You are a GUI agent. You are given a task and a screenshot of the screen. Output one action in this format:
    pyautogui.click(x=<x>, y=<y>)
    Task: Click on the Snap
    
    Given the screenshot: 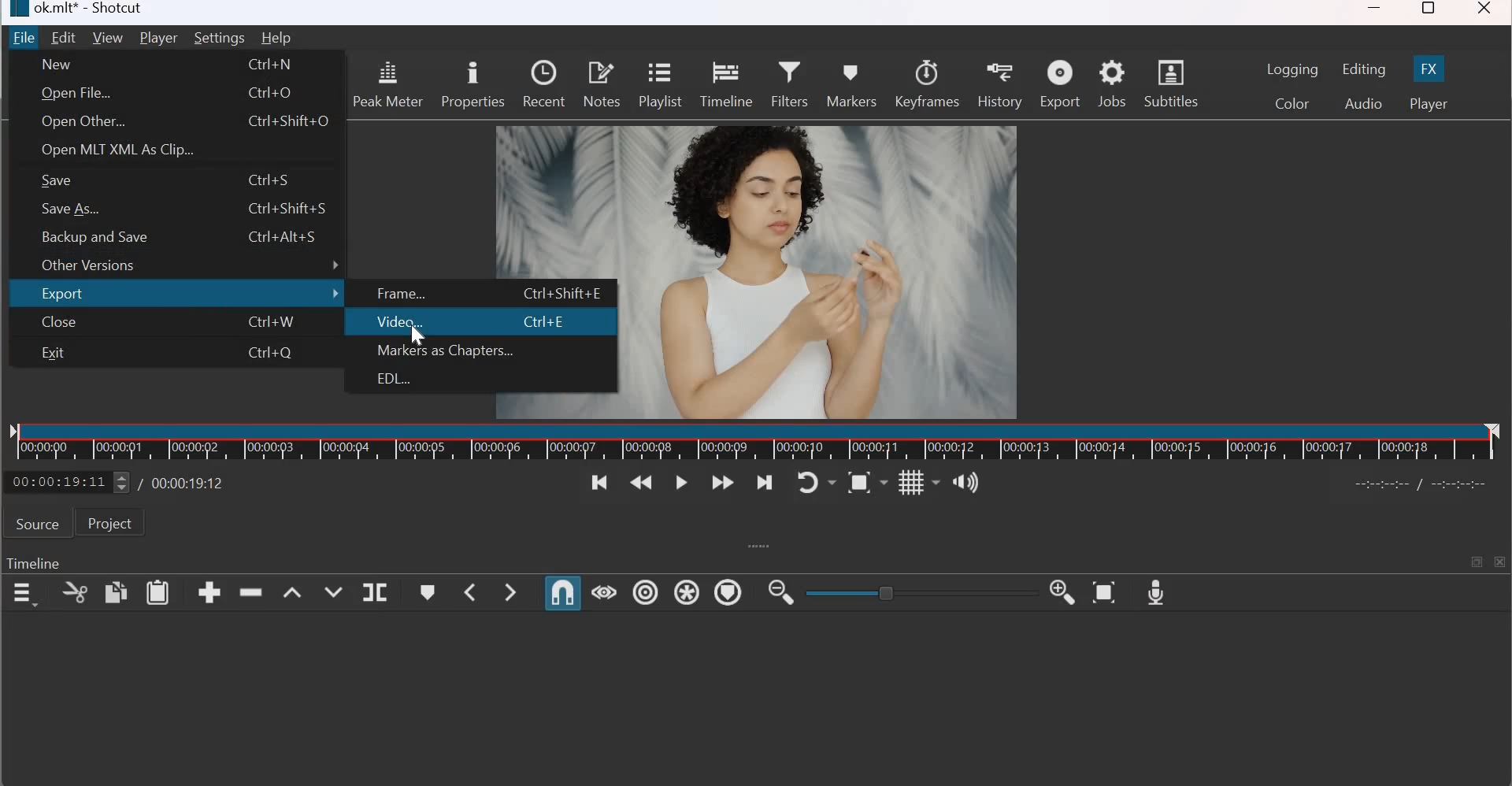 What is the action you would take?
    pyautogui.click(x=564, y=592)
    